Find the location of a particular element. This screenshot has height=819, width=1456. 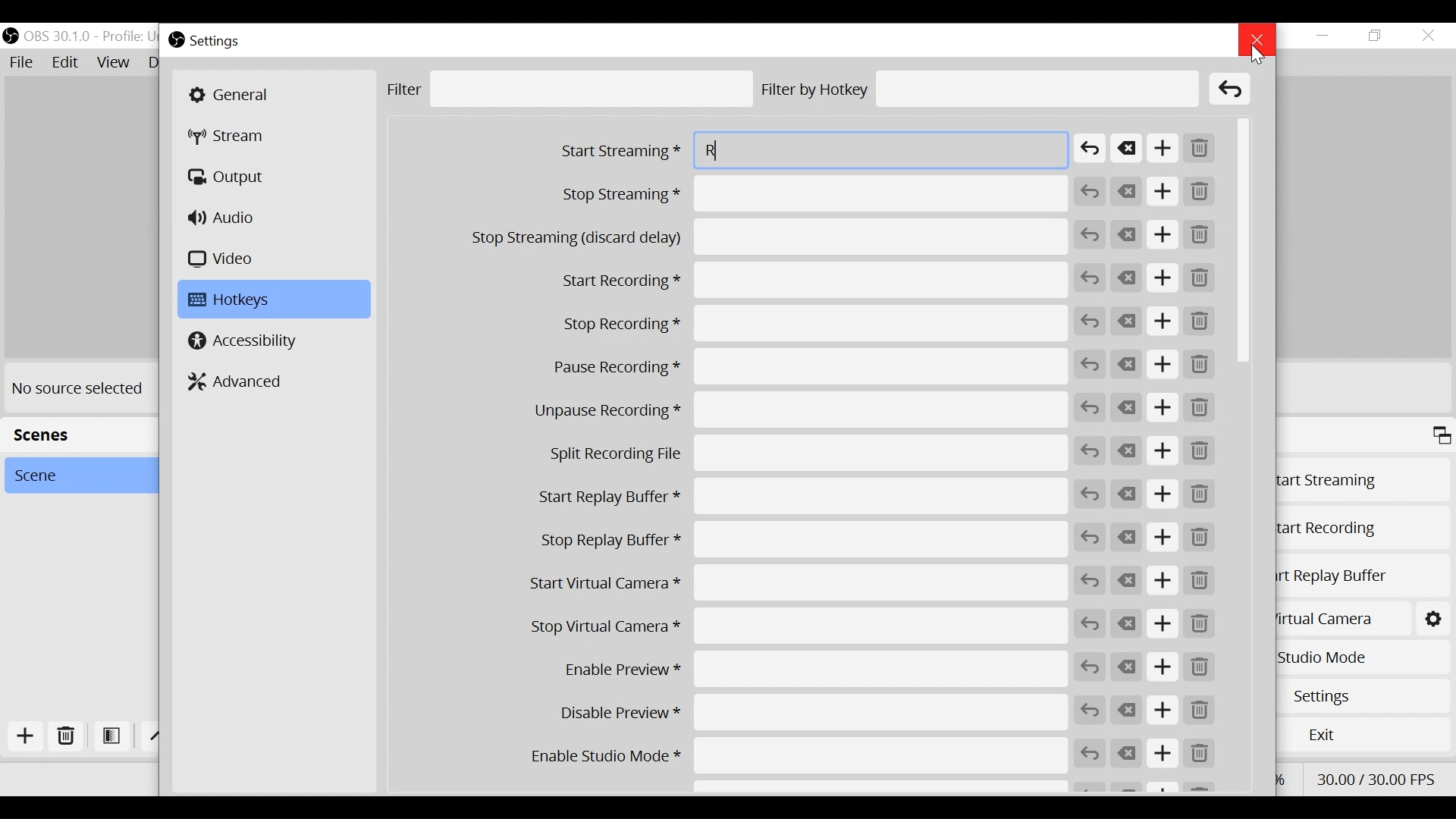

Edit is located at coordinates (66, 63).